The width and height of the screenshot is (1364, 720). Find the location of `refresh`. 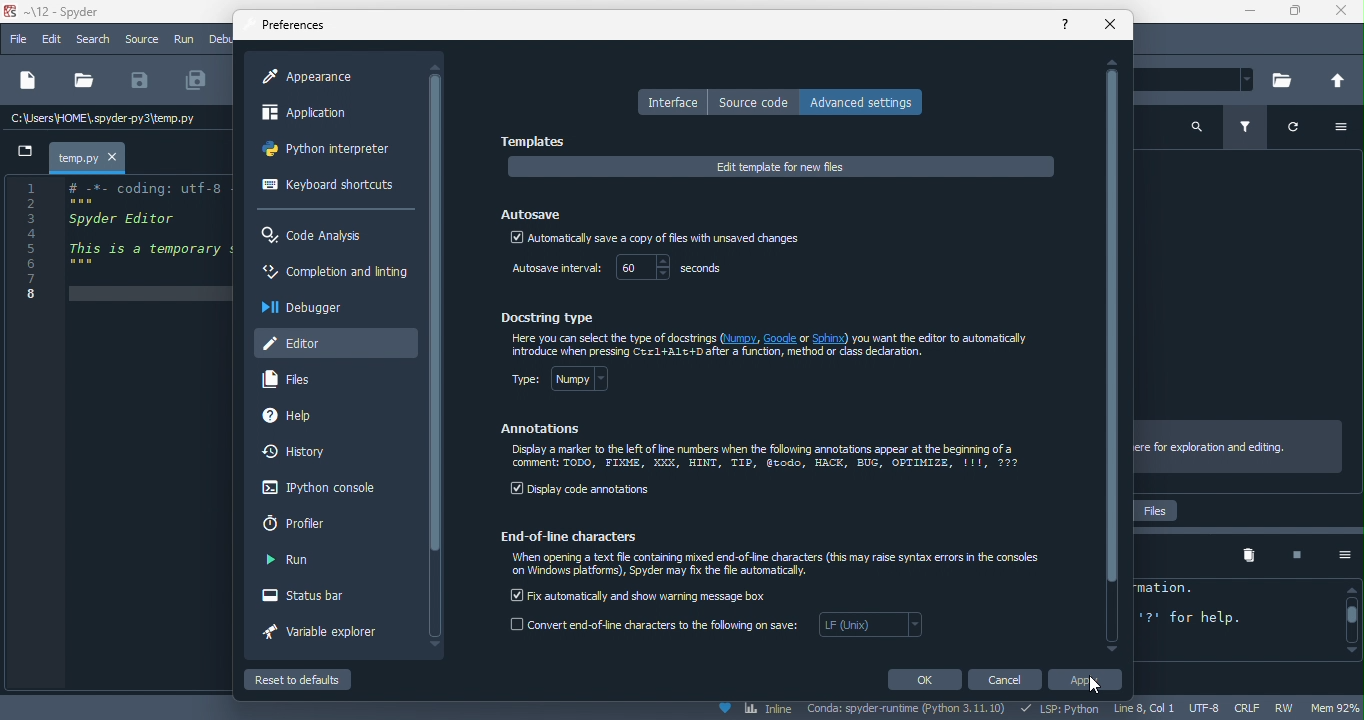

refresh is located at coordinates (1302, 131).